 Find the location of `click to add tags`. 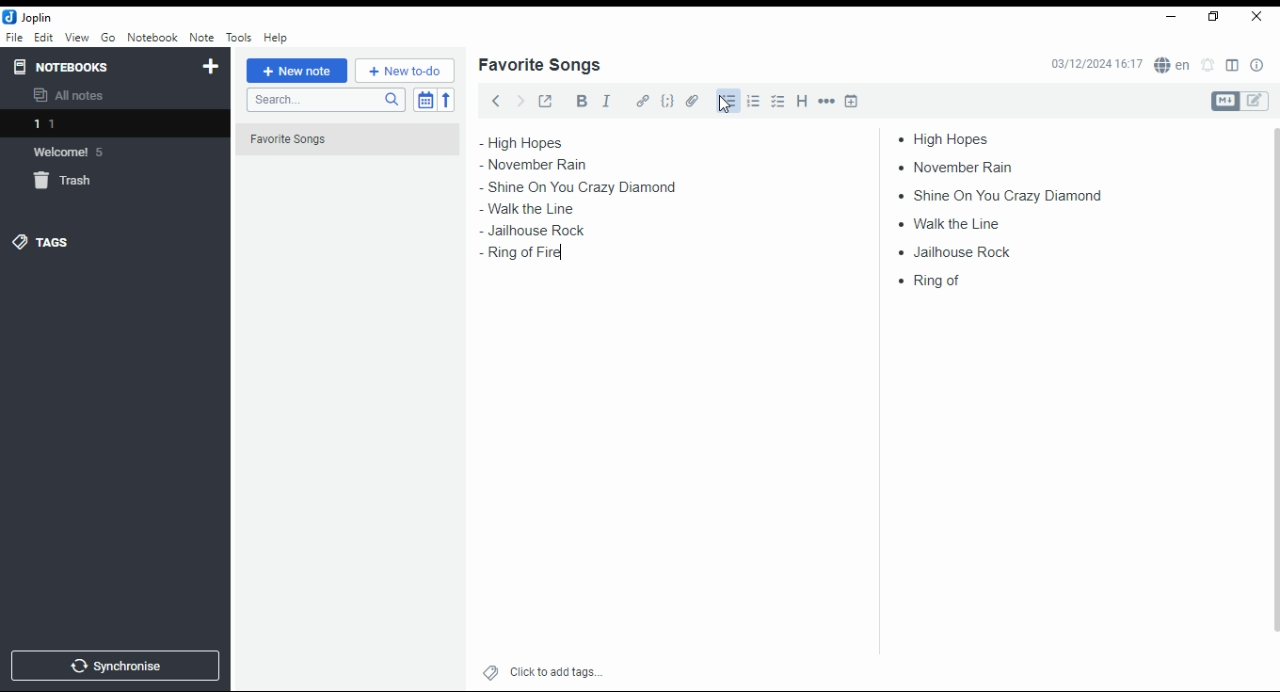

click to add tags is located at coordinates (556, 669).